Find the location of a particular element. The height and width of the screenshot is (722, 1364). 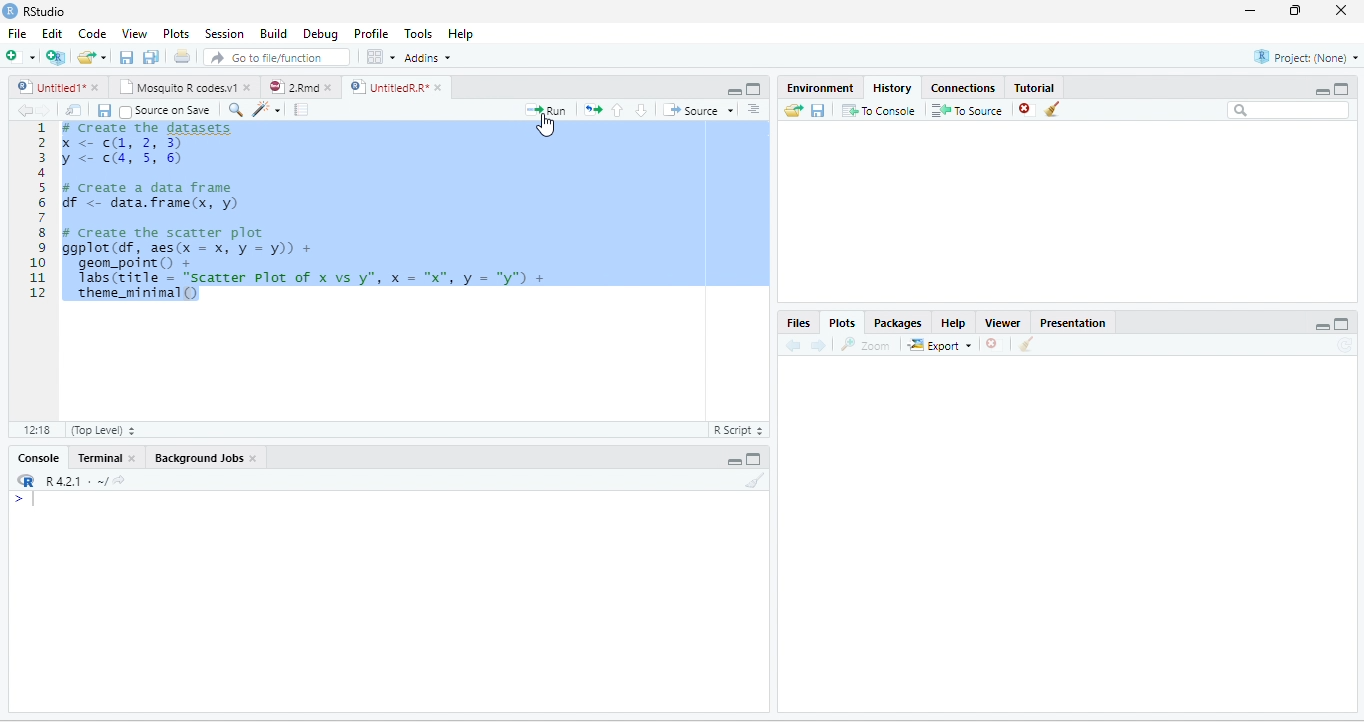

Help is located at coordinates (462, 33).